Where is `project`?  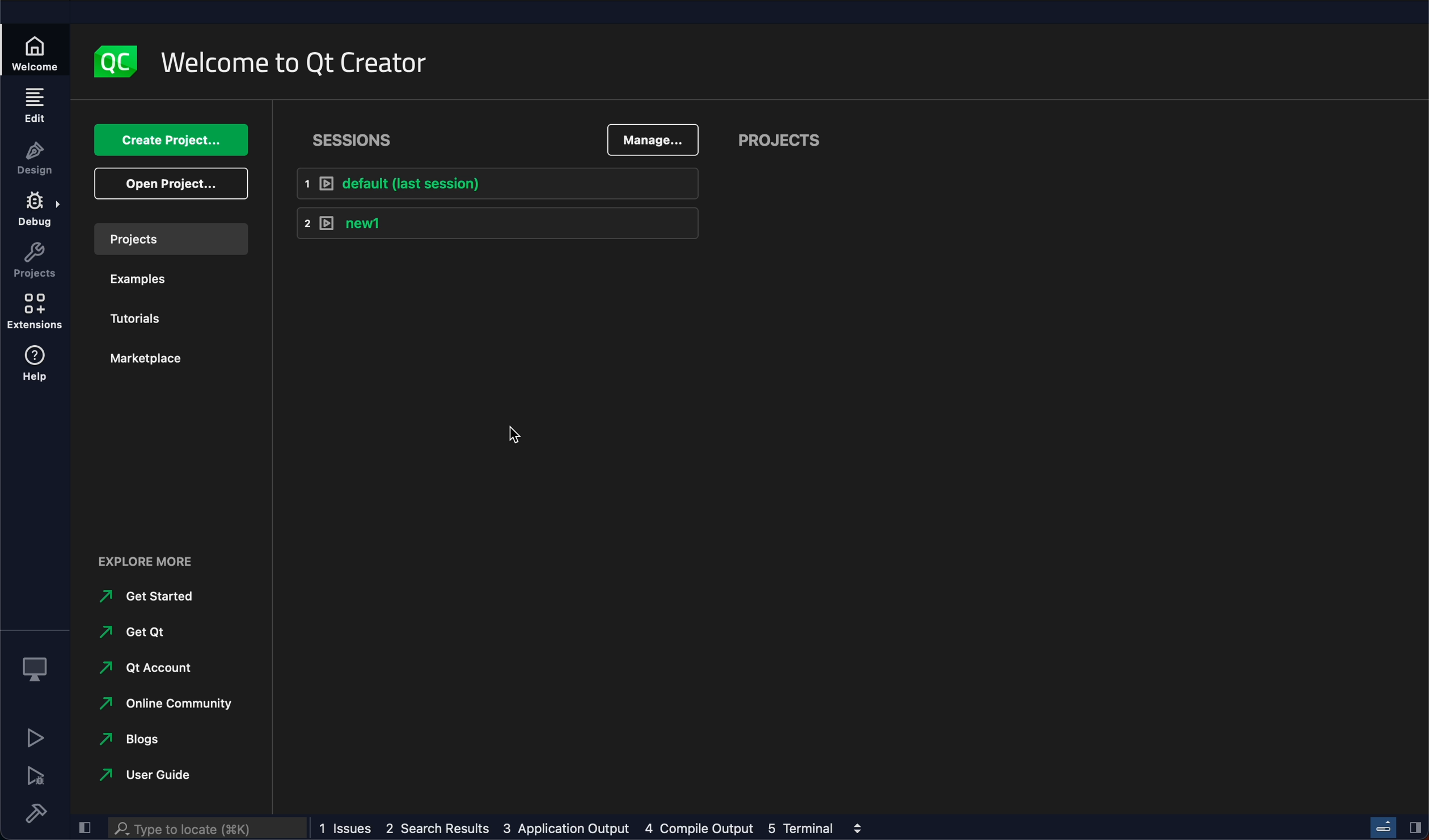
project is located at coordinates (34, 261).